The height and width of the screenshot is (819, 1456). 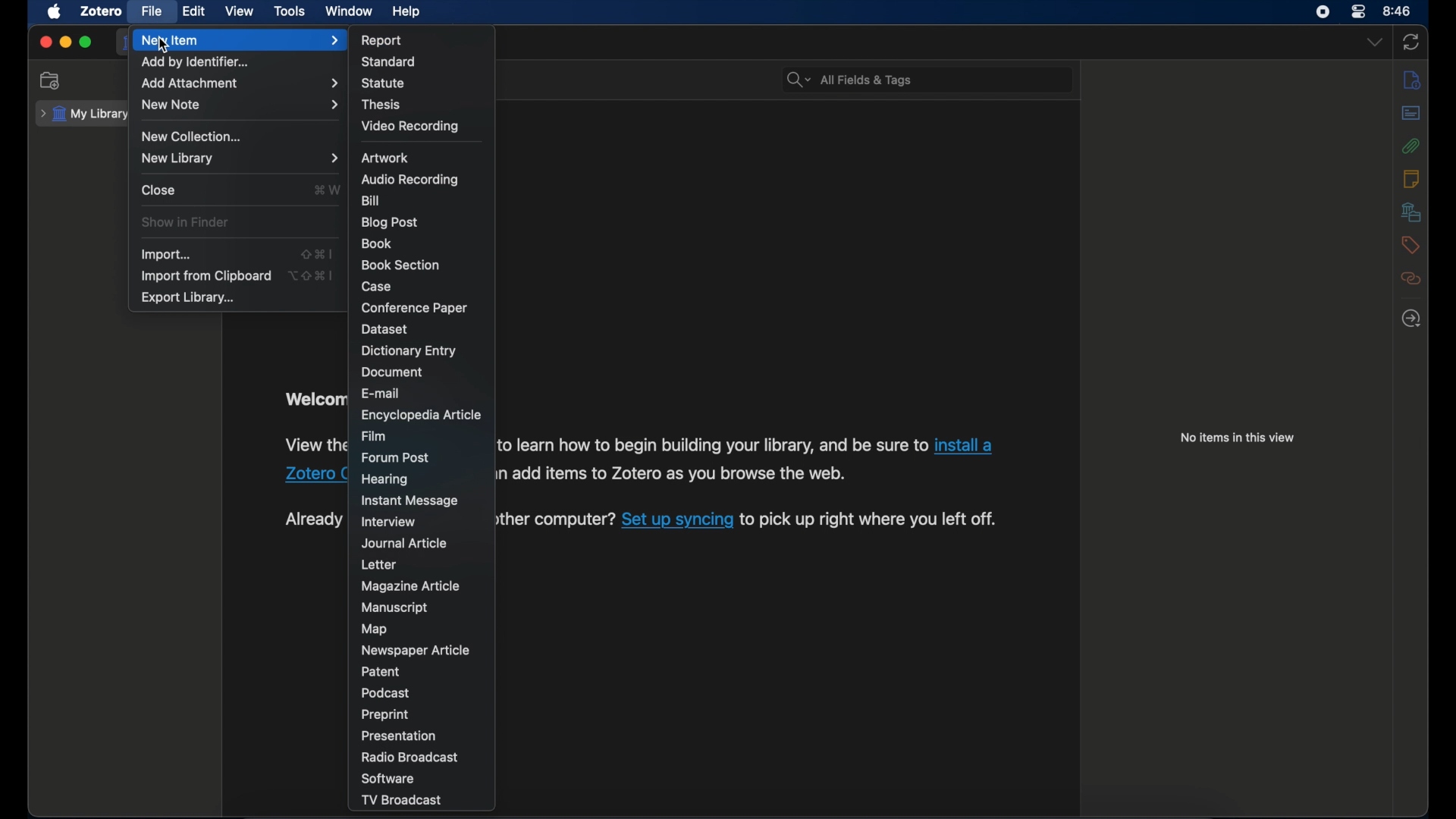 What do you see at coordinates (242, 40) in the screenshot?
I see `new item` at bounding box center [242, 40].